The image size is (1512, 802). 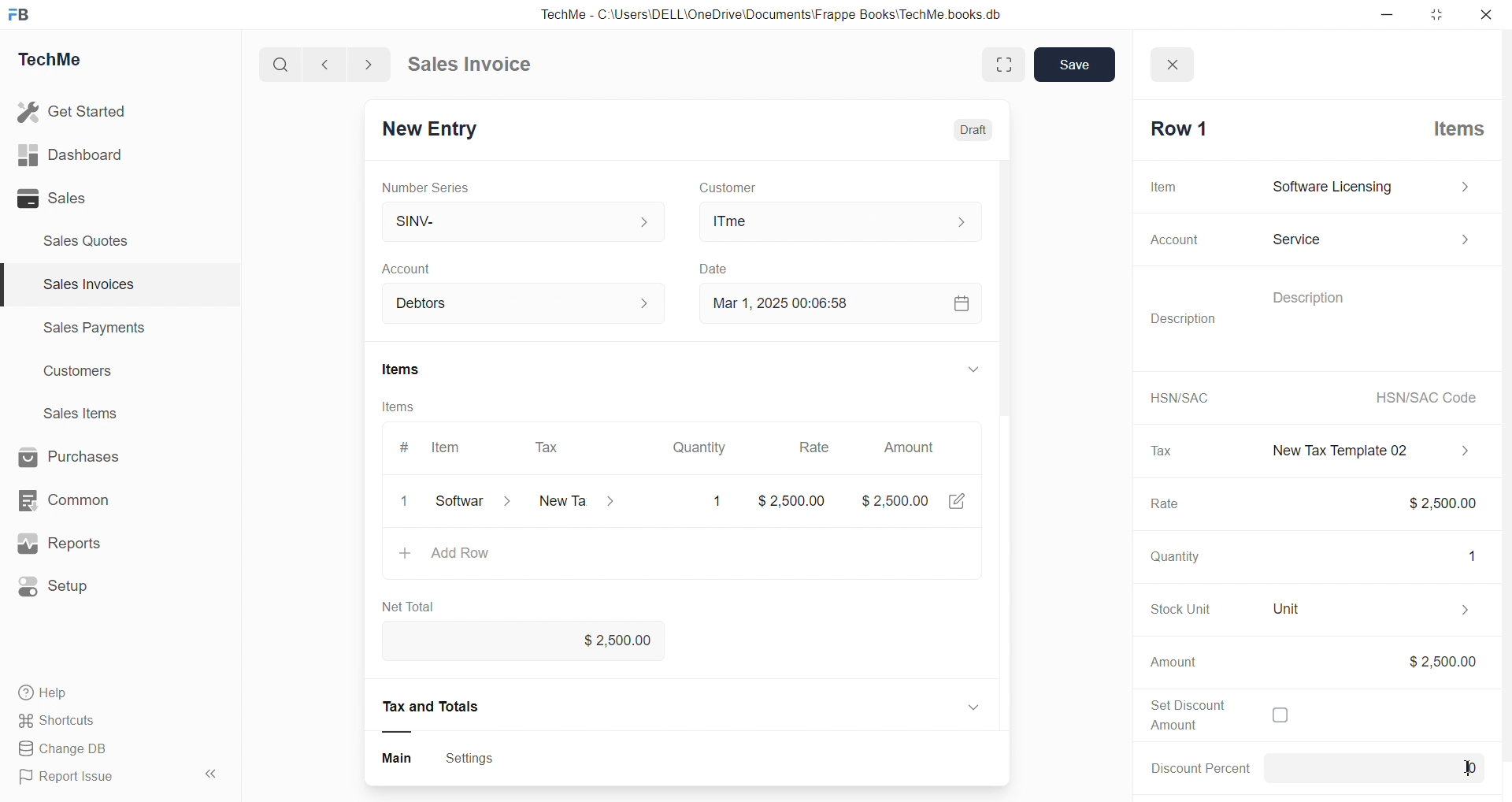 What do you see at coordinates (1168, 240) in the screenshot?
I see `Account` at bounding box center [1168, 240].